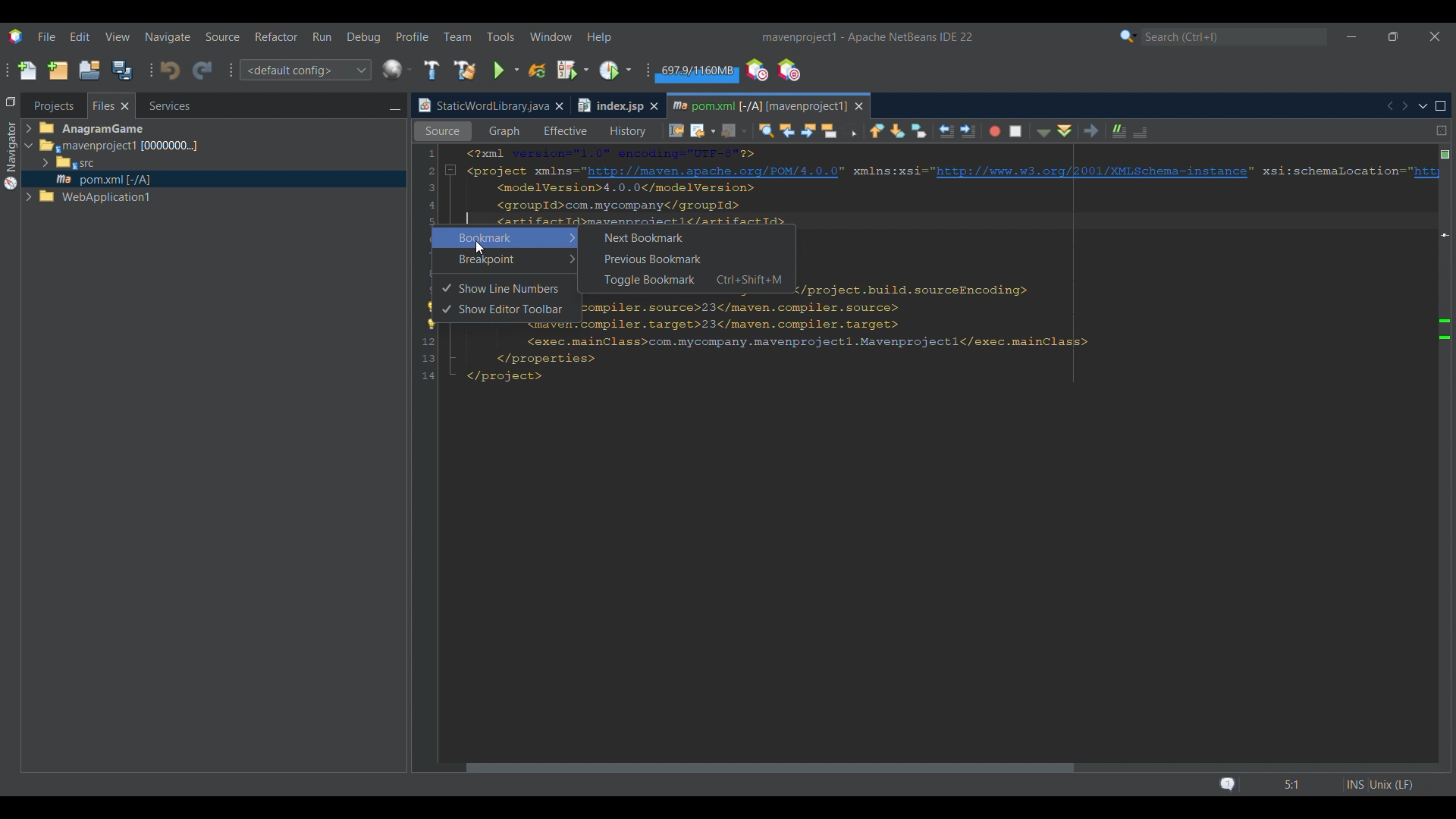  What do you see at coordinates (1389, 106) in the screenshot?
I see `Previous` at bounding box center [1389, 106].